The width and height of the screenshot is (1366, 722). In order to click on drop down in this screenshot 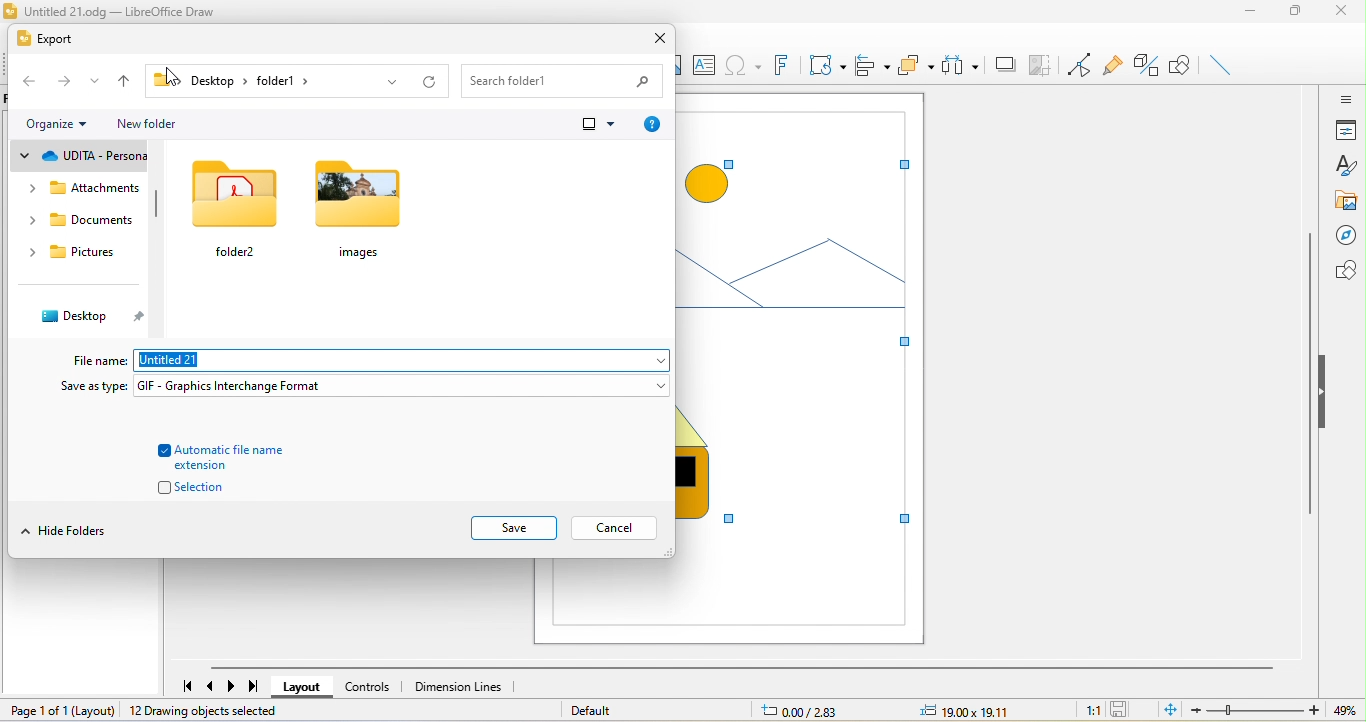, I will do `click(391, 81)`.